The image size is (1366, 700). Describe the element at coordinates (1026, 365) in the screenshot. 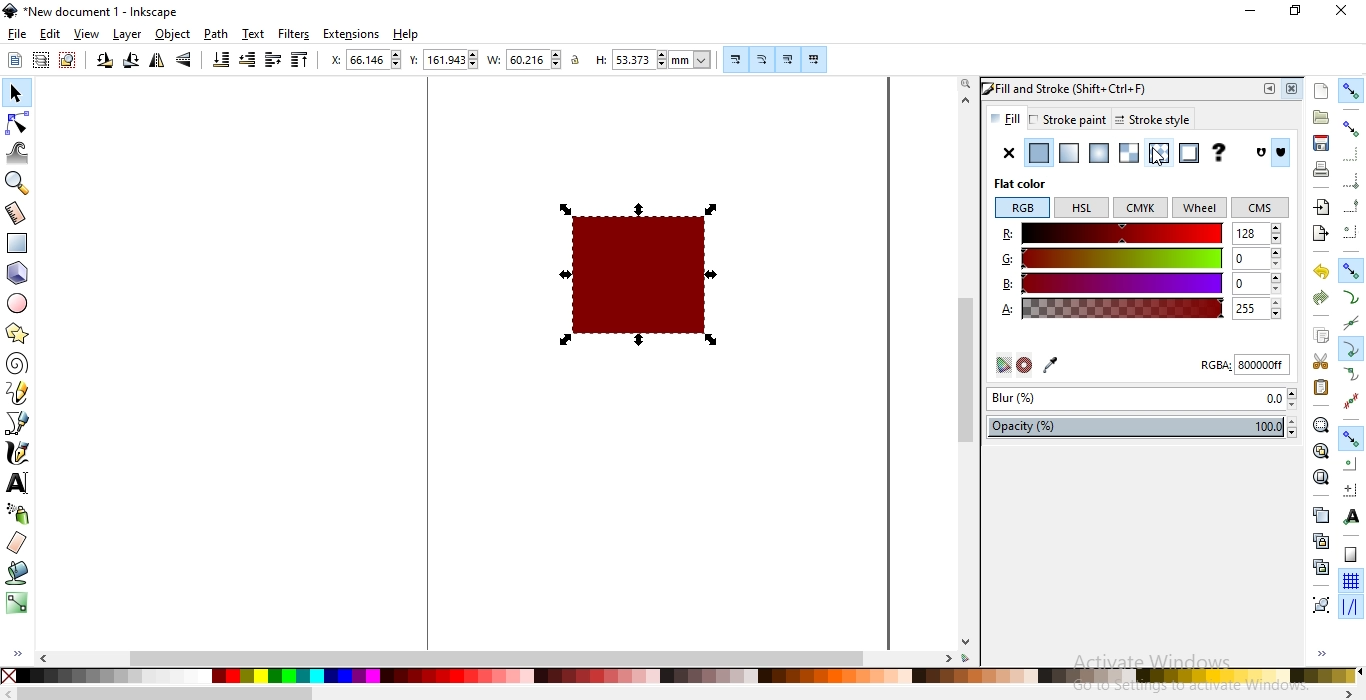

I see `out of gamut` at that location.